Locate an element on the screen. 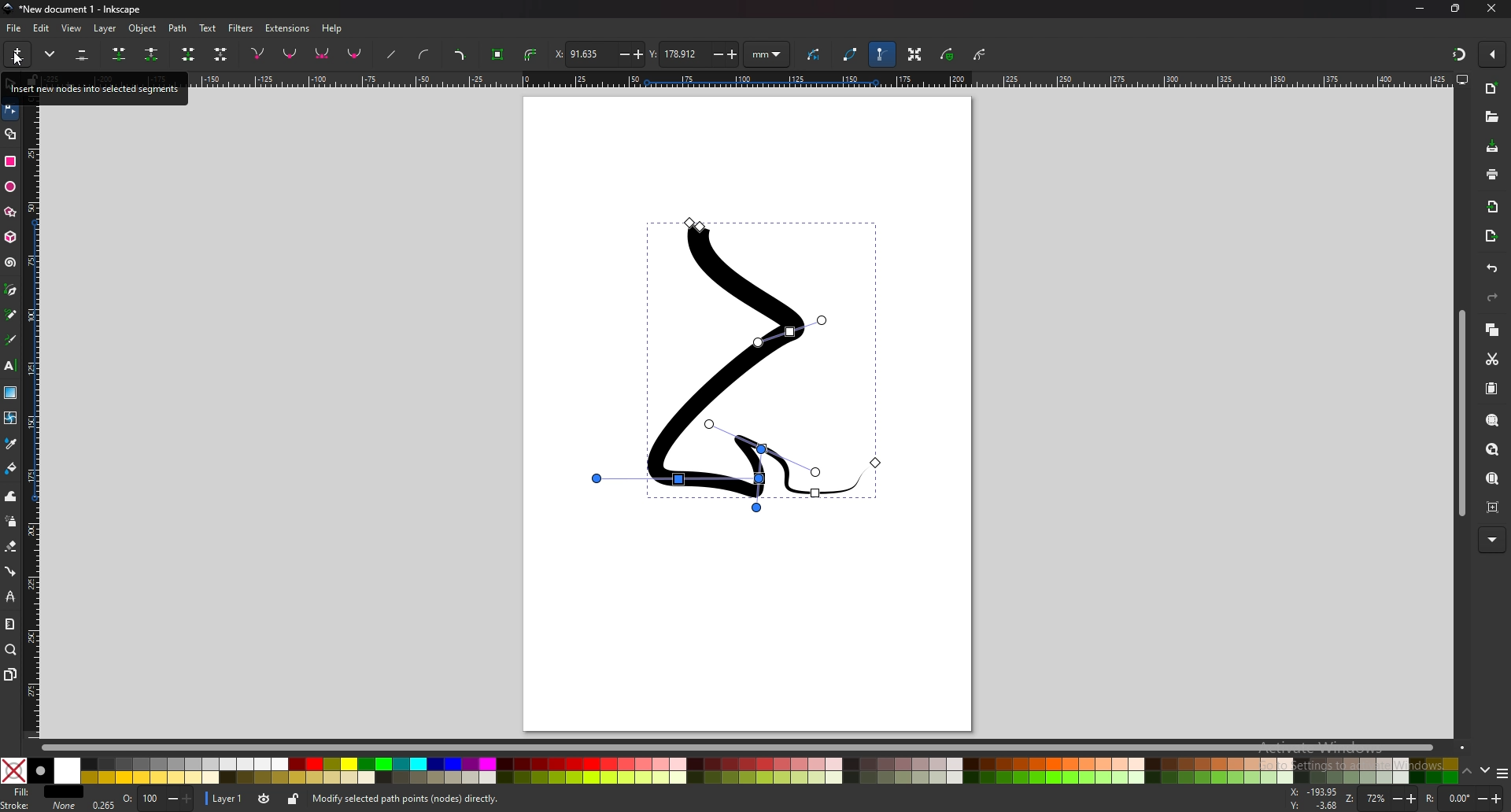 This screenshot has height=812, width=1511. snapper is located at coordinates (1459, 54).